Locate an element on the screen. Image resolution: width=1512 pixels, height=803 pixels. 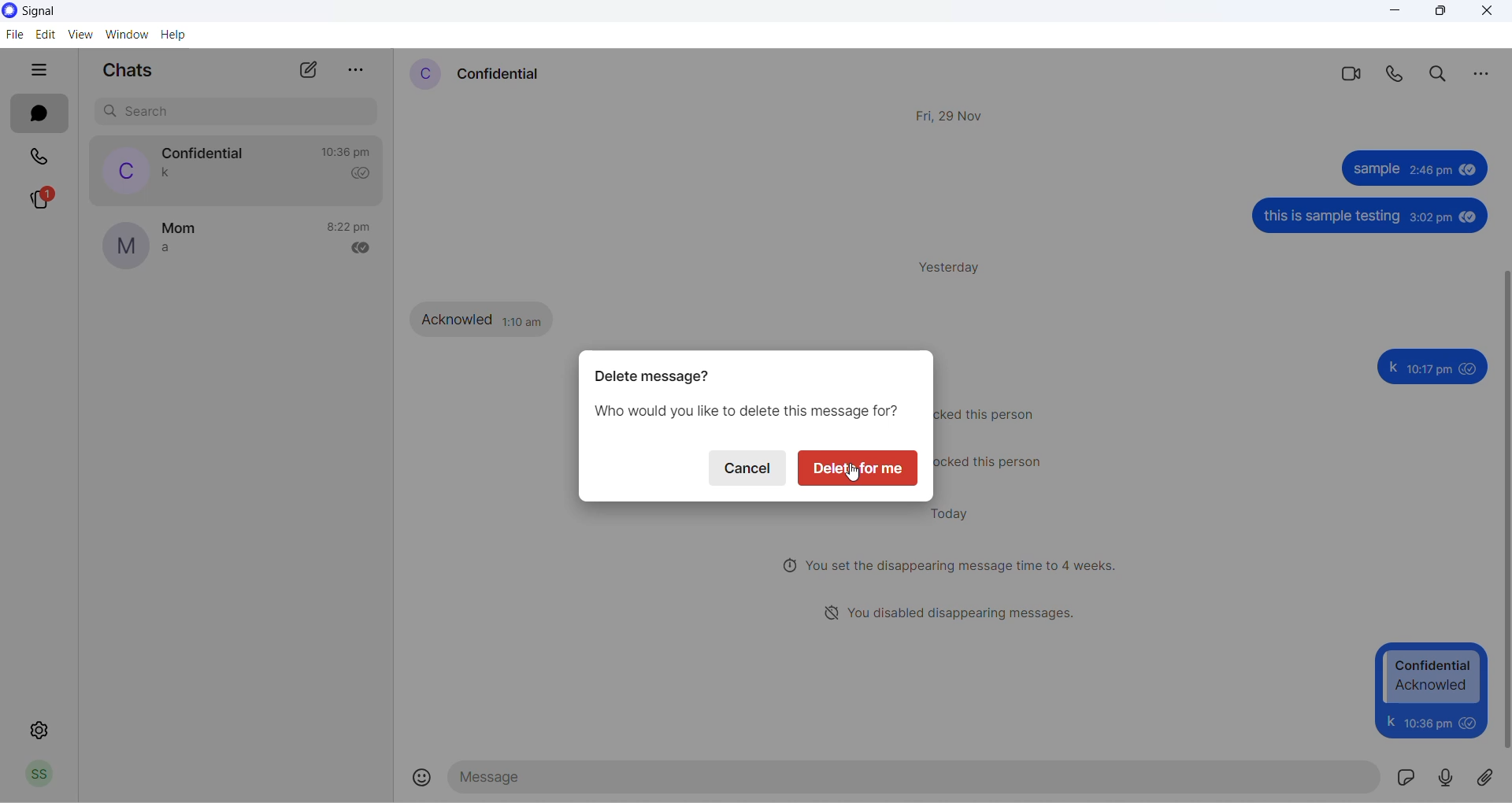
seen is located at coordinates (1468, 722).